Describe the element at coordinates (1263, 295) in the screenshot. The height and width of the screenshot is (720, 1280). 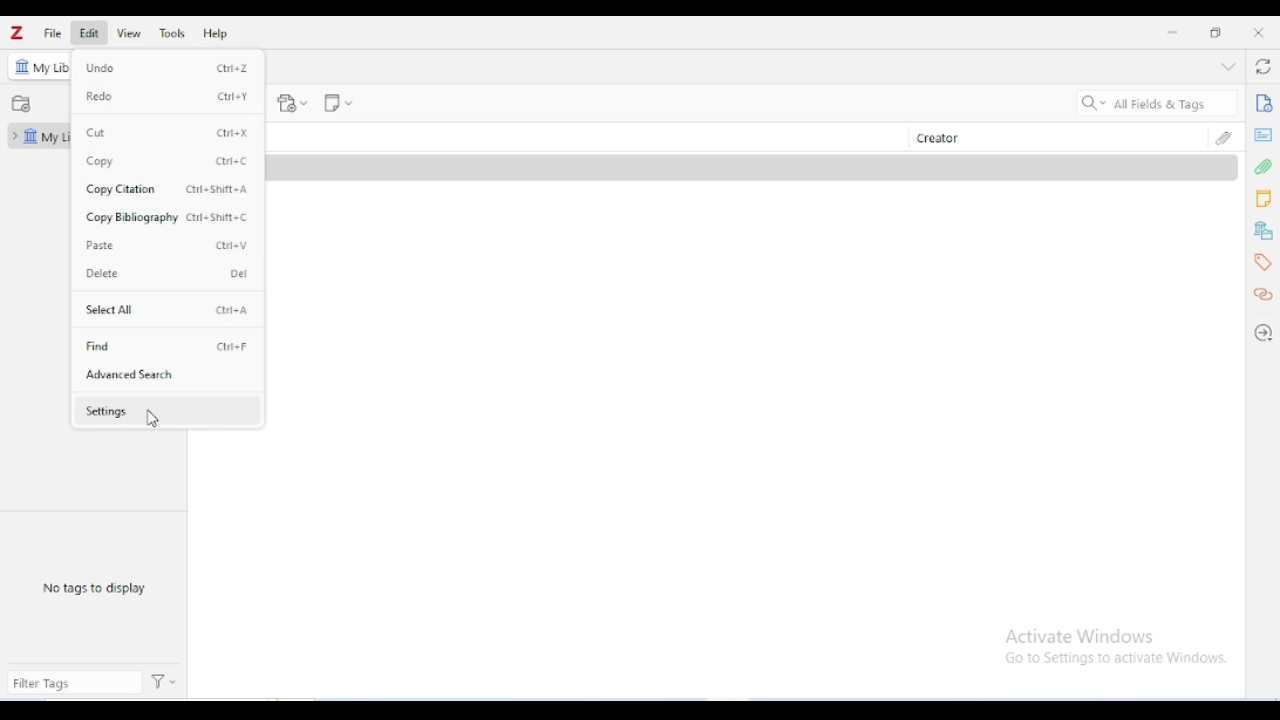
I see `related` at that location.